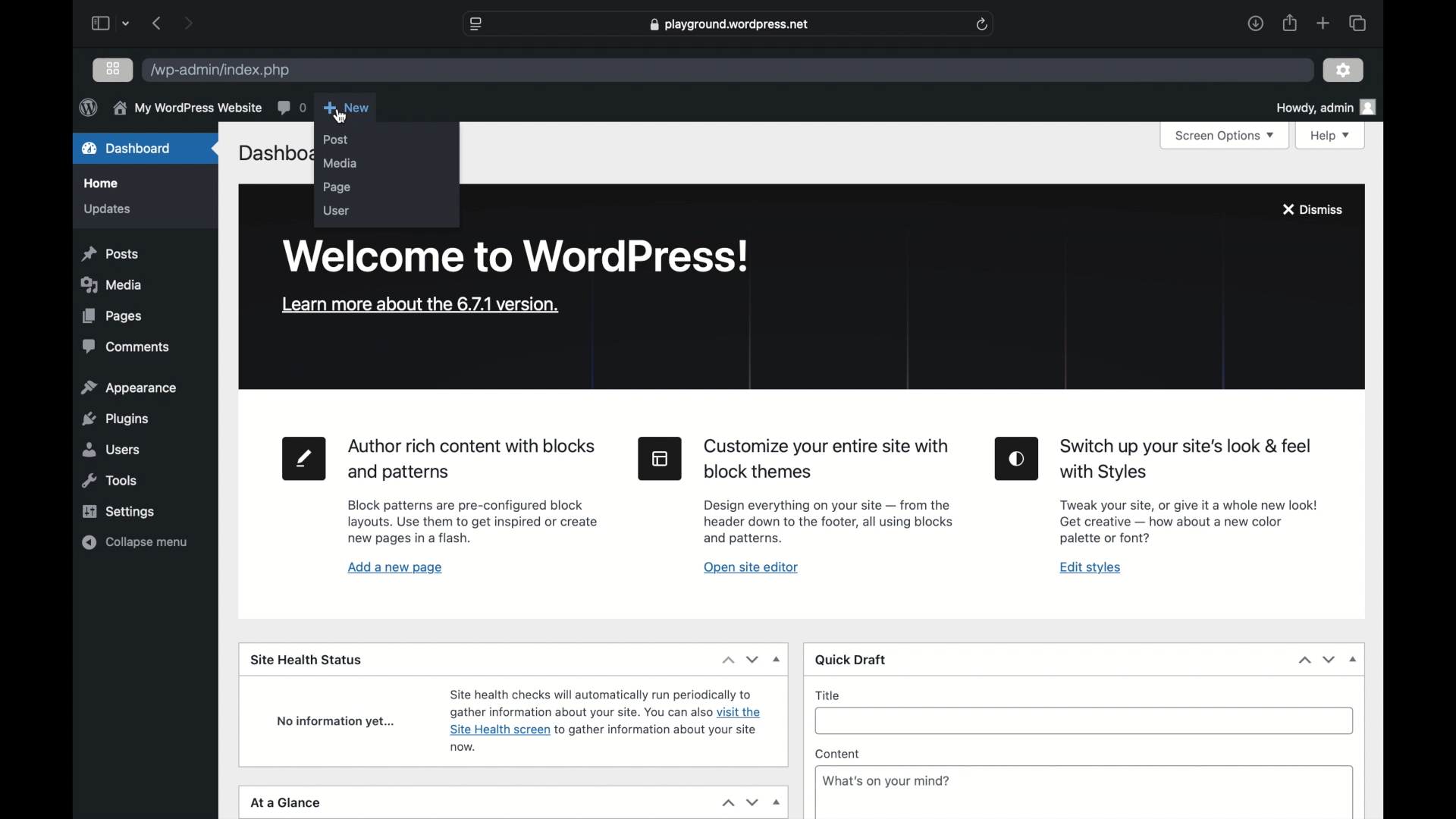 The height and width of the screenshot is (819, 1456). What do you see at coordinates (1016, 459) in the screenshot?
I see `edit styles` at bounding box center [1016, 459].